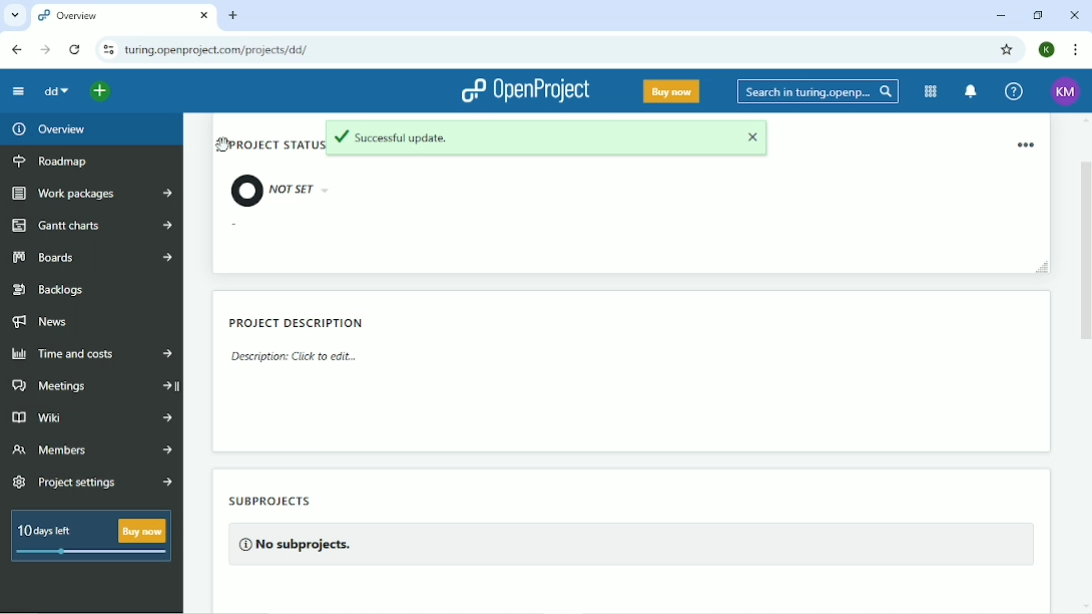  I want to click on Time and costs, so click(92, 352).